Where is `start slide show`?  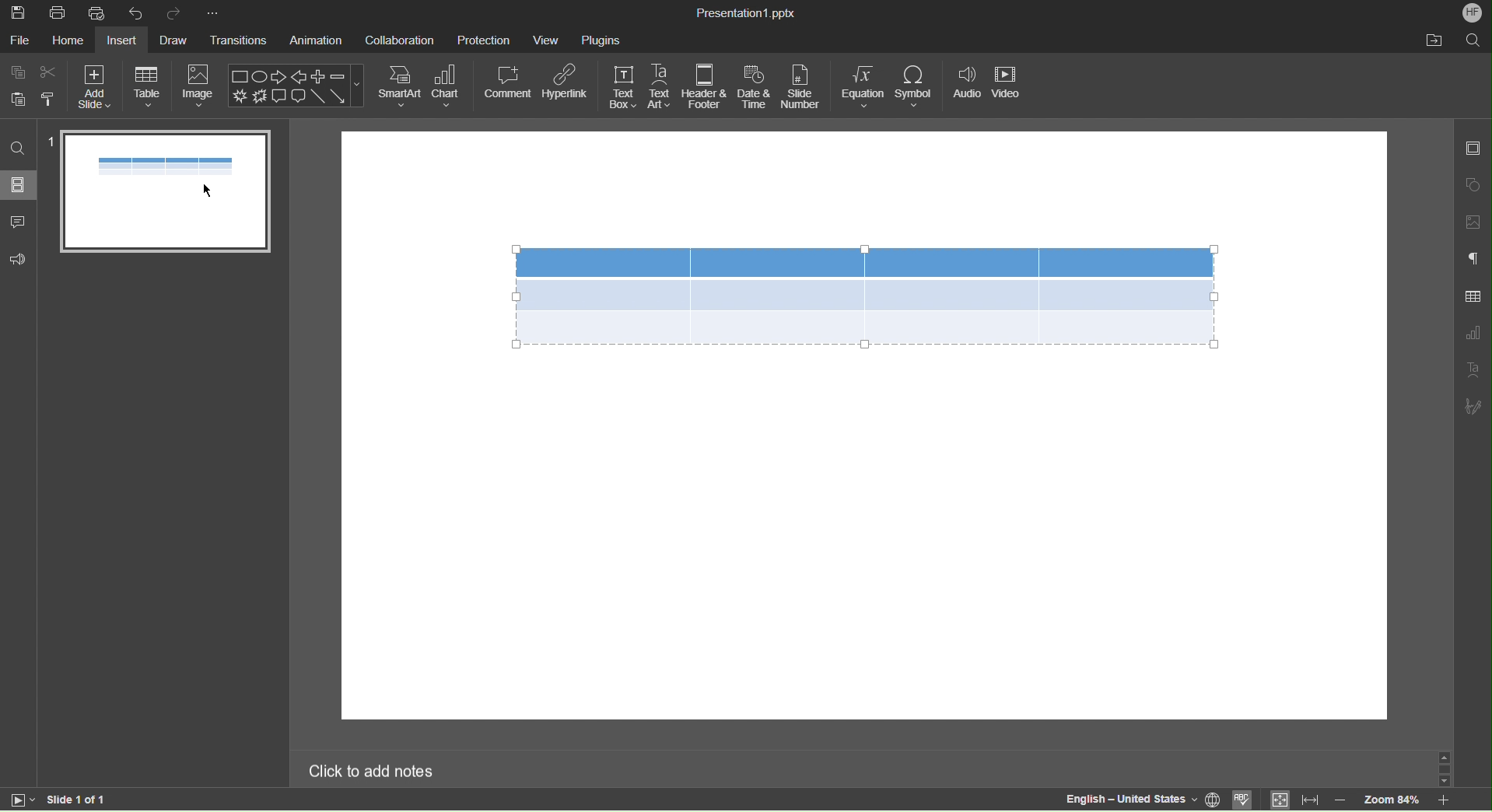 start slide show is located at coordinates (18, 799).